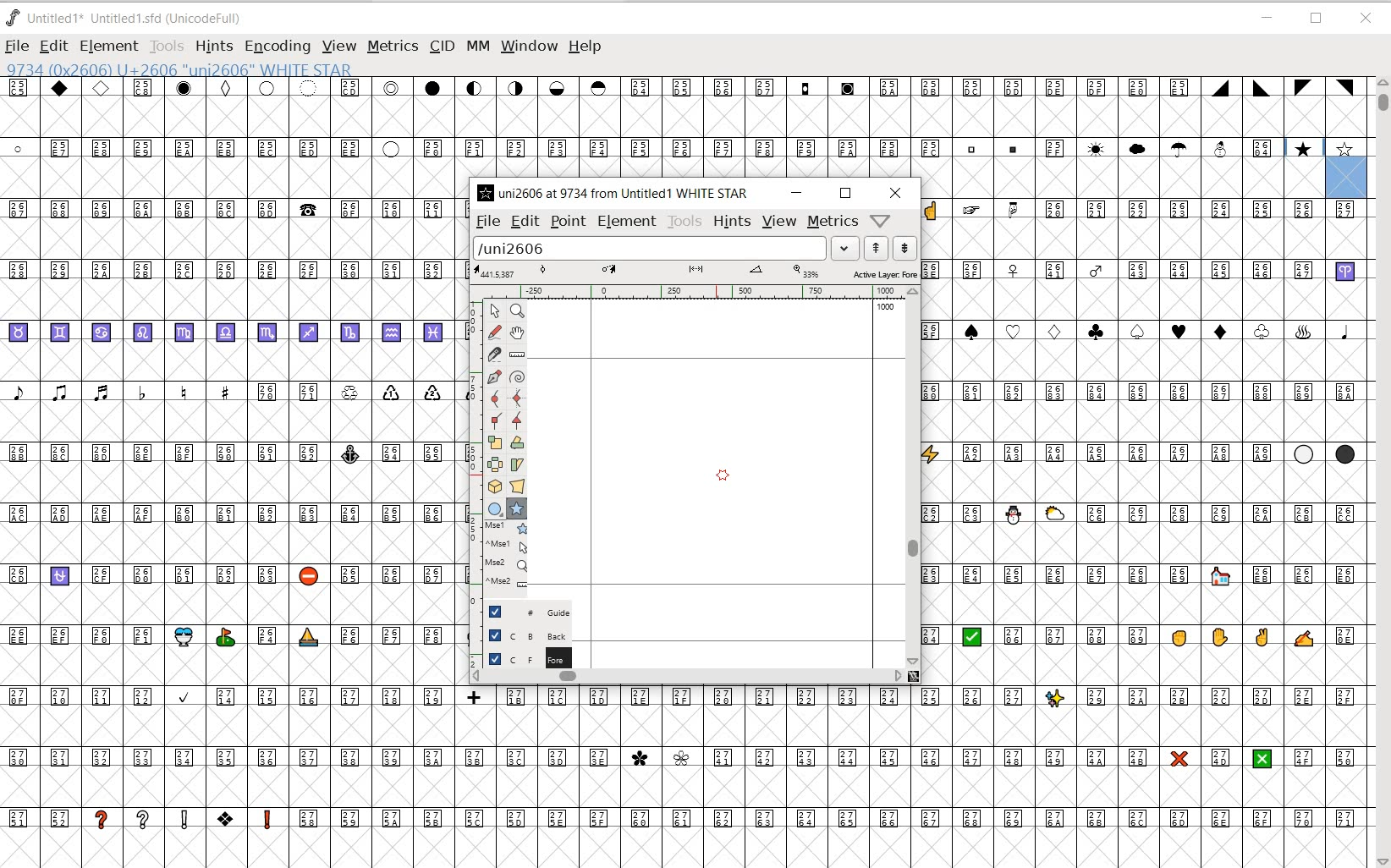 Image resolution: width=1391 pixels, height=868 pixels. Describe the element at coordinates (518, 421) in the screenshot. I see `ADD A TANGENT POINT` at that location.